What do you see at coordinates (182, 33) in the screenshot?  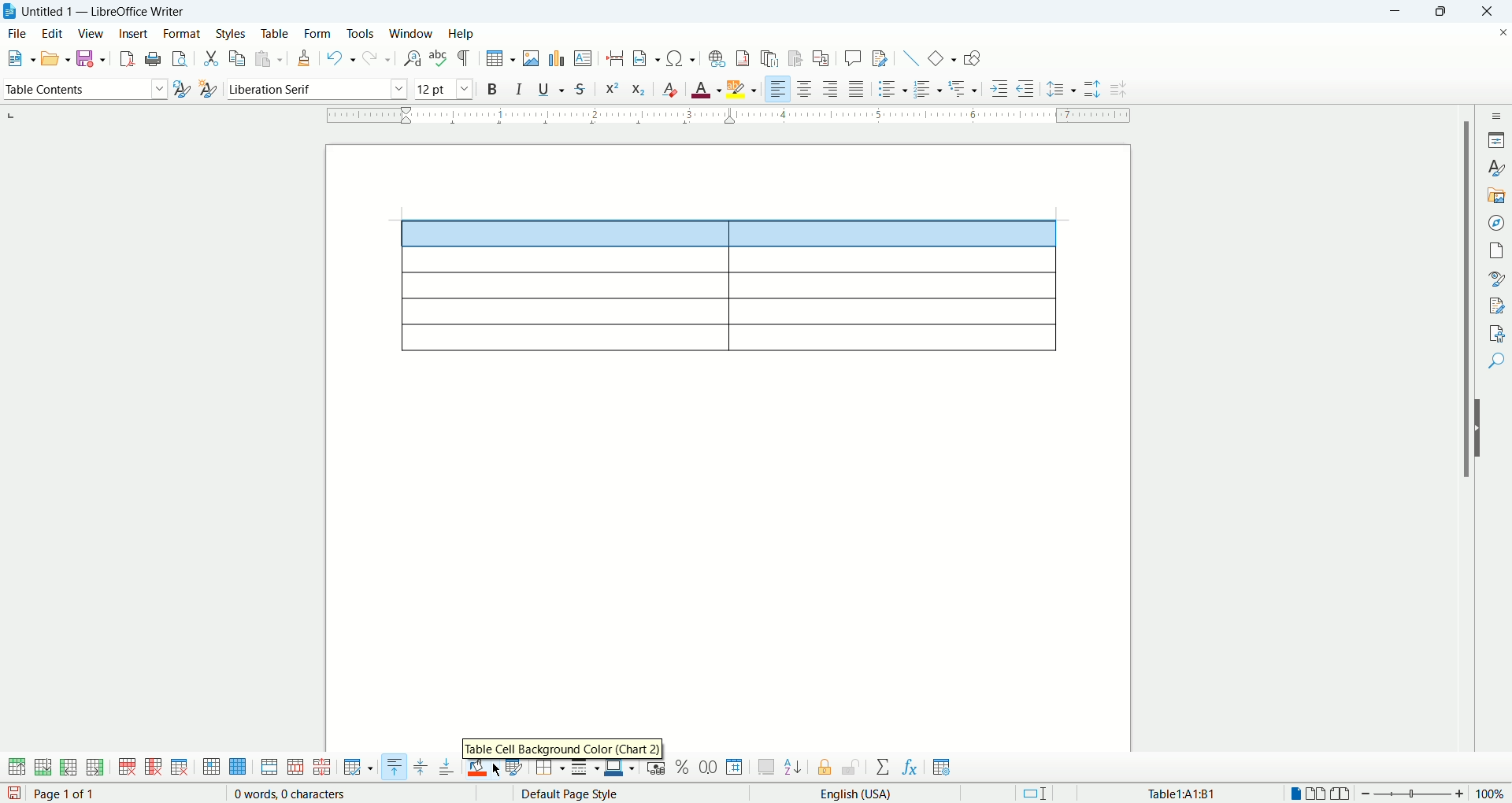 I see `format` at bounding box center [182, 33].